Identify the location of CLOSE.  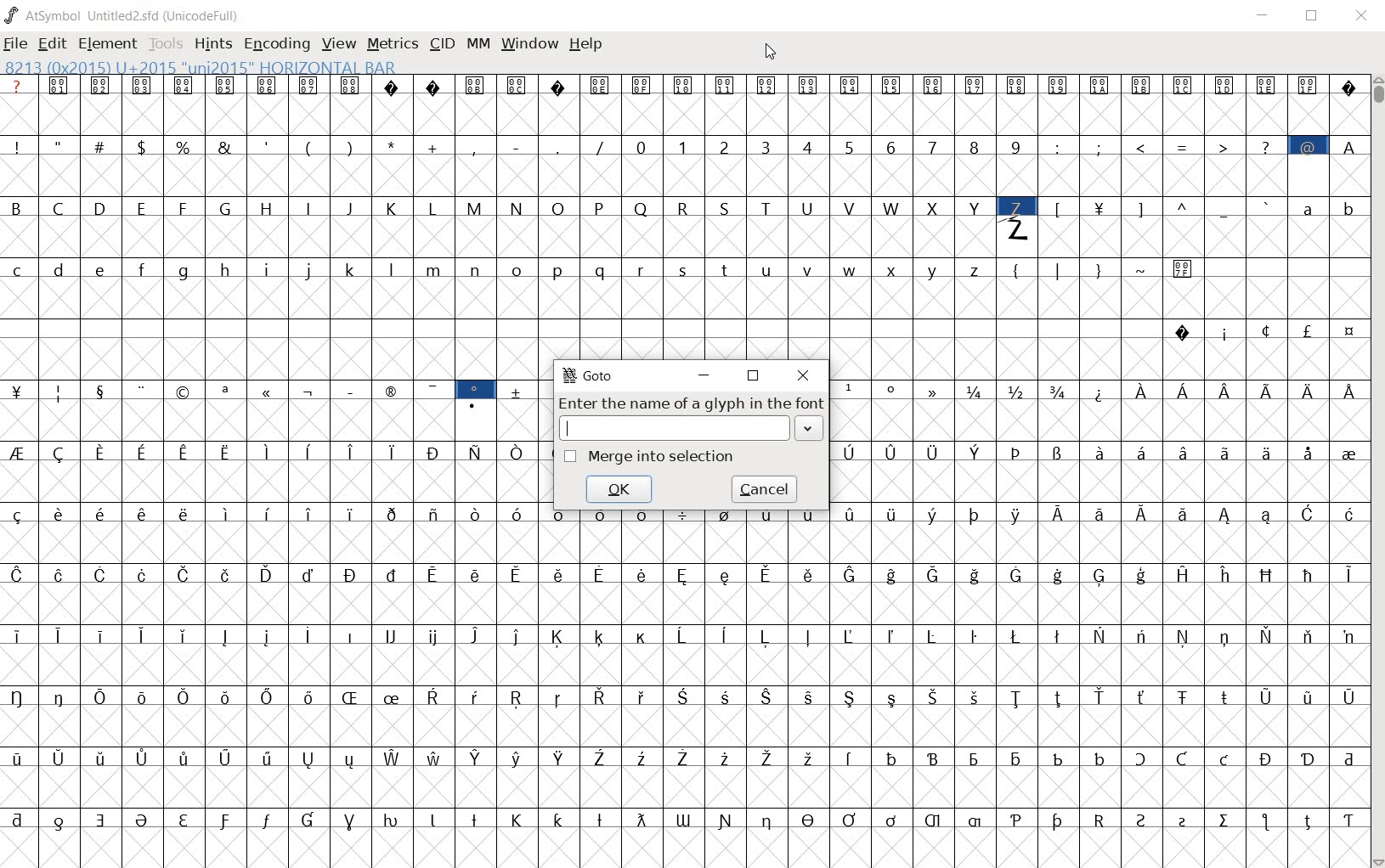
(1363, 19).